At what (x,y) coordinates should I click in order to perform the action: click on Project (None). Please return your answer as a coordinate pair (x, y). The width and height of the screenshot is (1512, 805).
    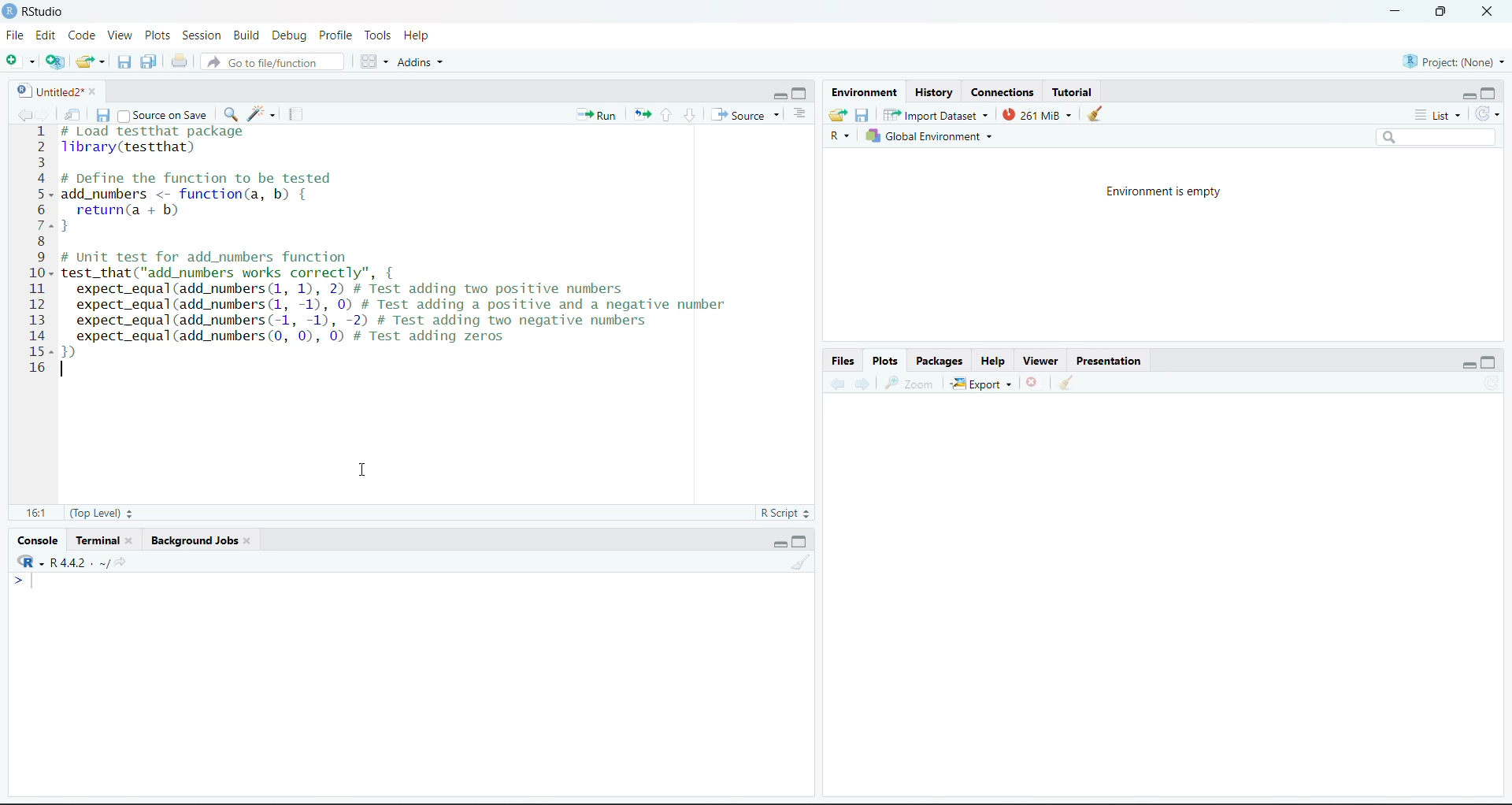
    Looking at the image, I should click on (1455, 61).